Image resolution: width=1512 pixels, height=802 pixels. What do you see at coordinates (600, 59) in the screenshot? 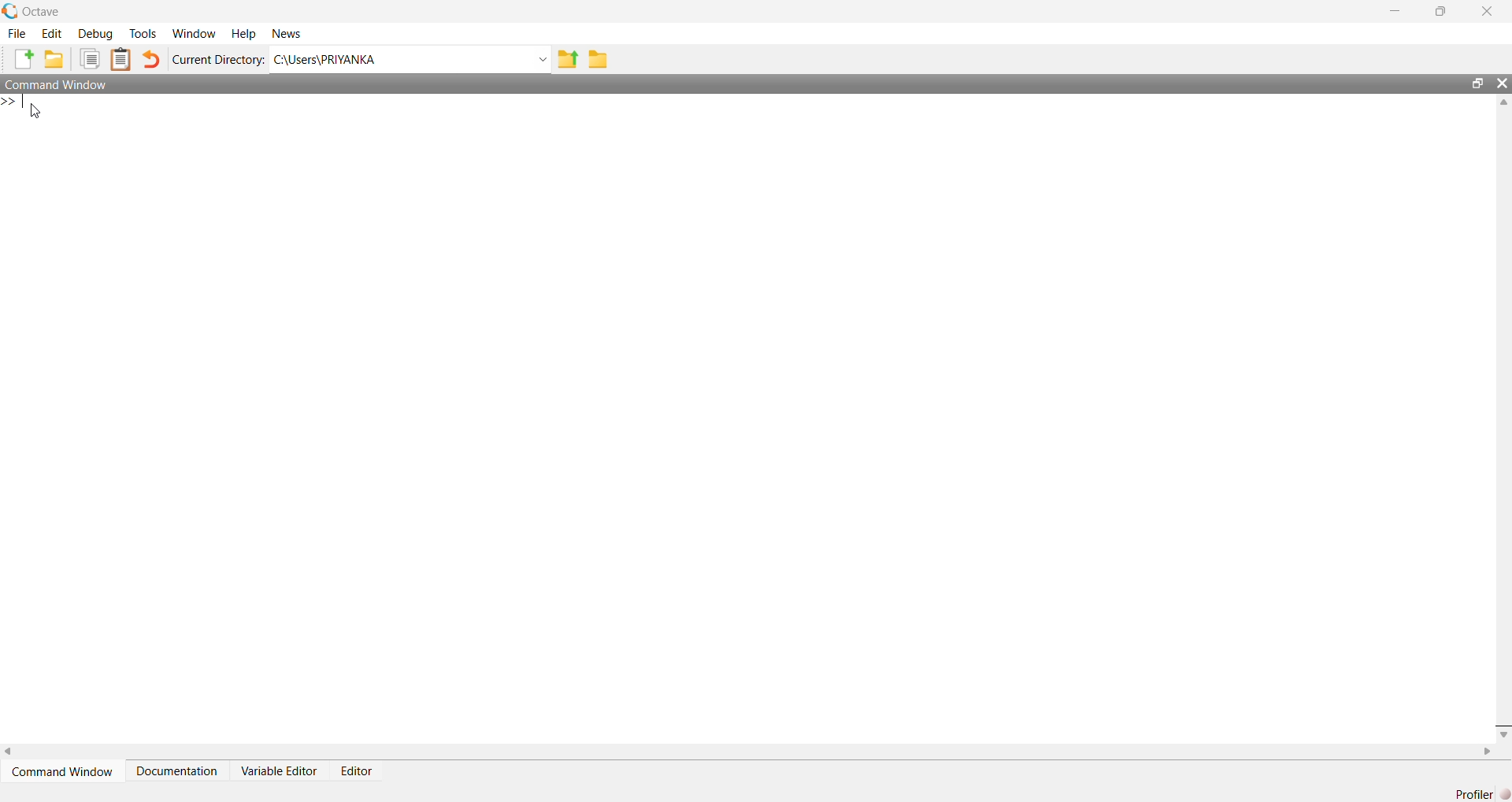
I see `folder` at bounding box center [600, 59].